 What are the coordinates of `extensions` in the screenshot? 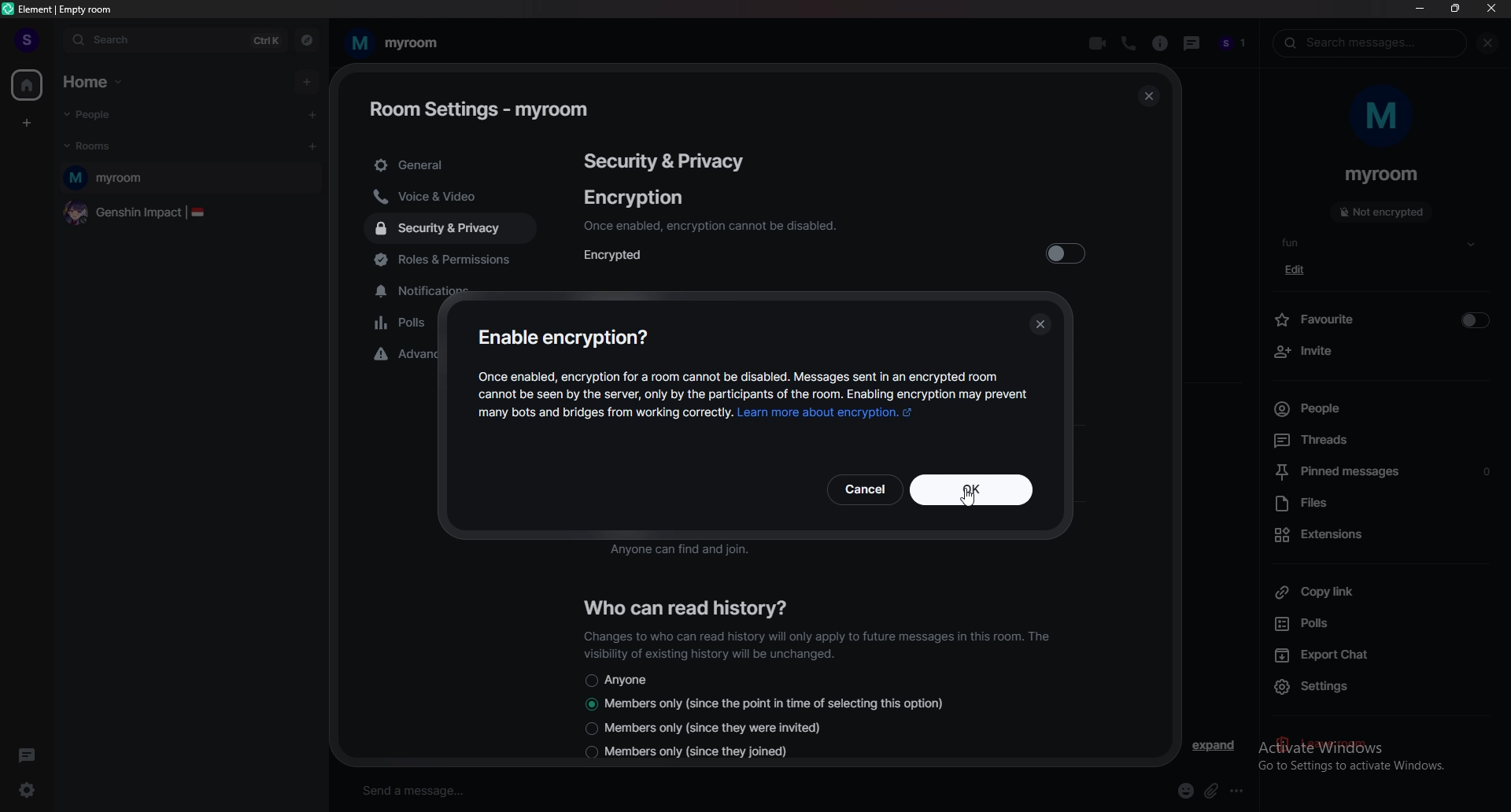 It's located at (1380, 537).